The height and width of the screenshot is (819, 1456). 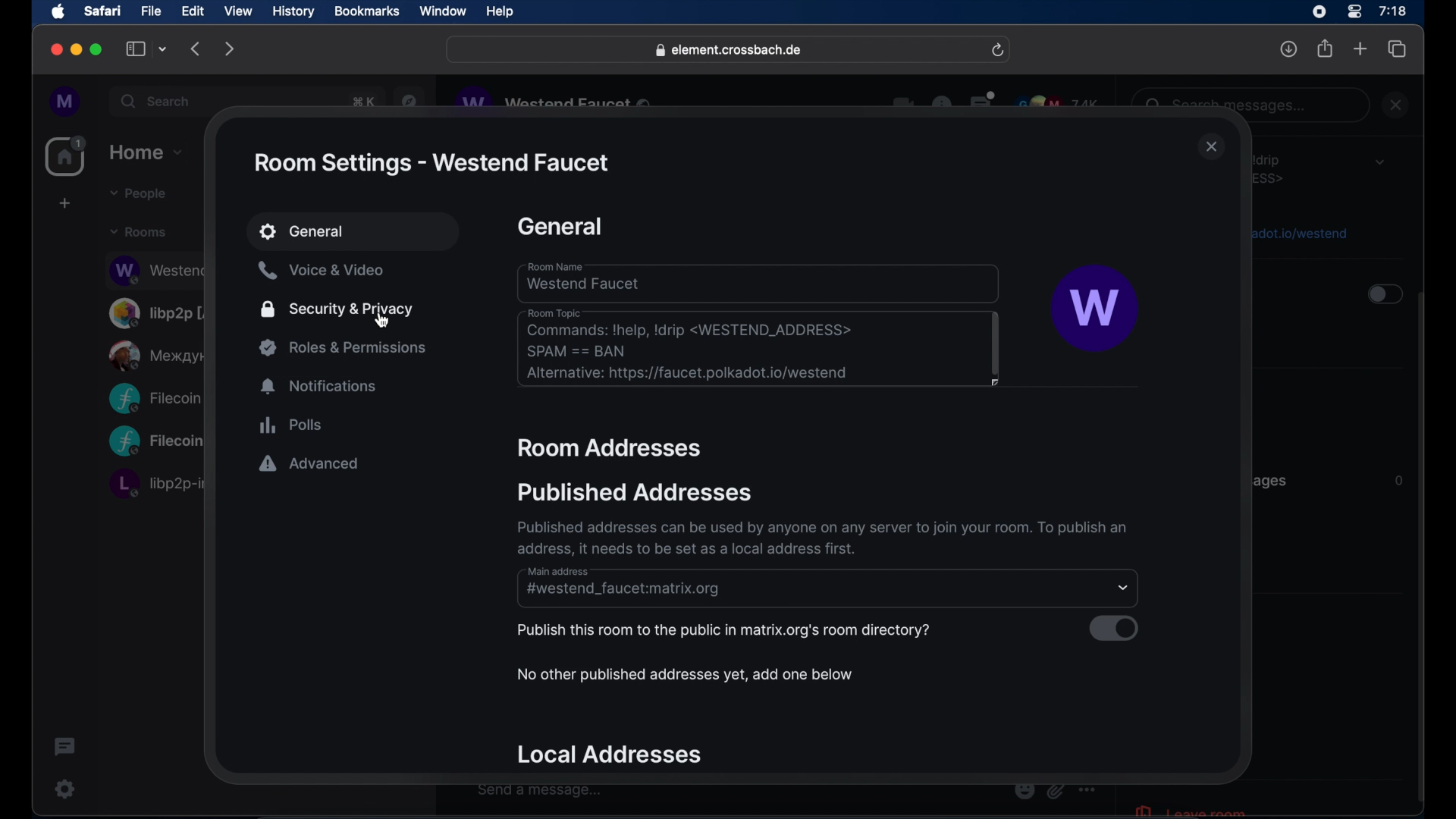 What do you see at coordinates (158, 355) in the screenshot?
I see `obscure` at bounding box center [158, 355].